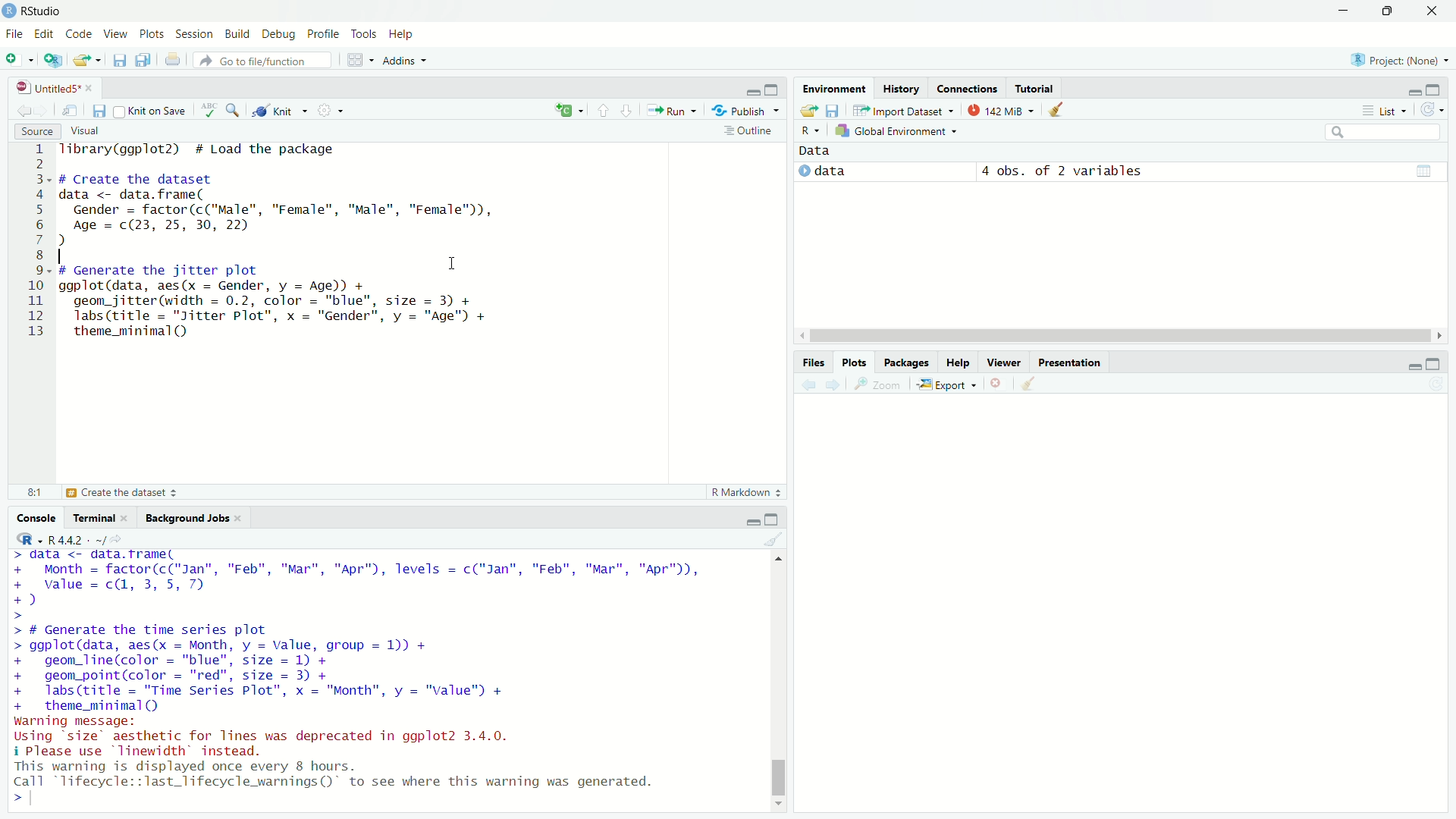 This screenshot has height=819, width=1456. I want to click on viewer, so click(1003, 364).